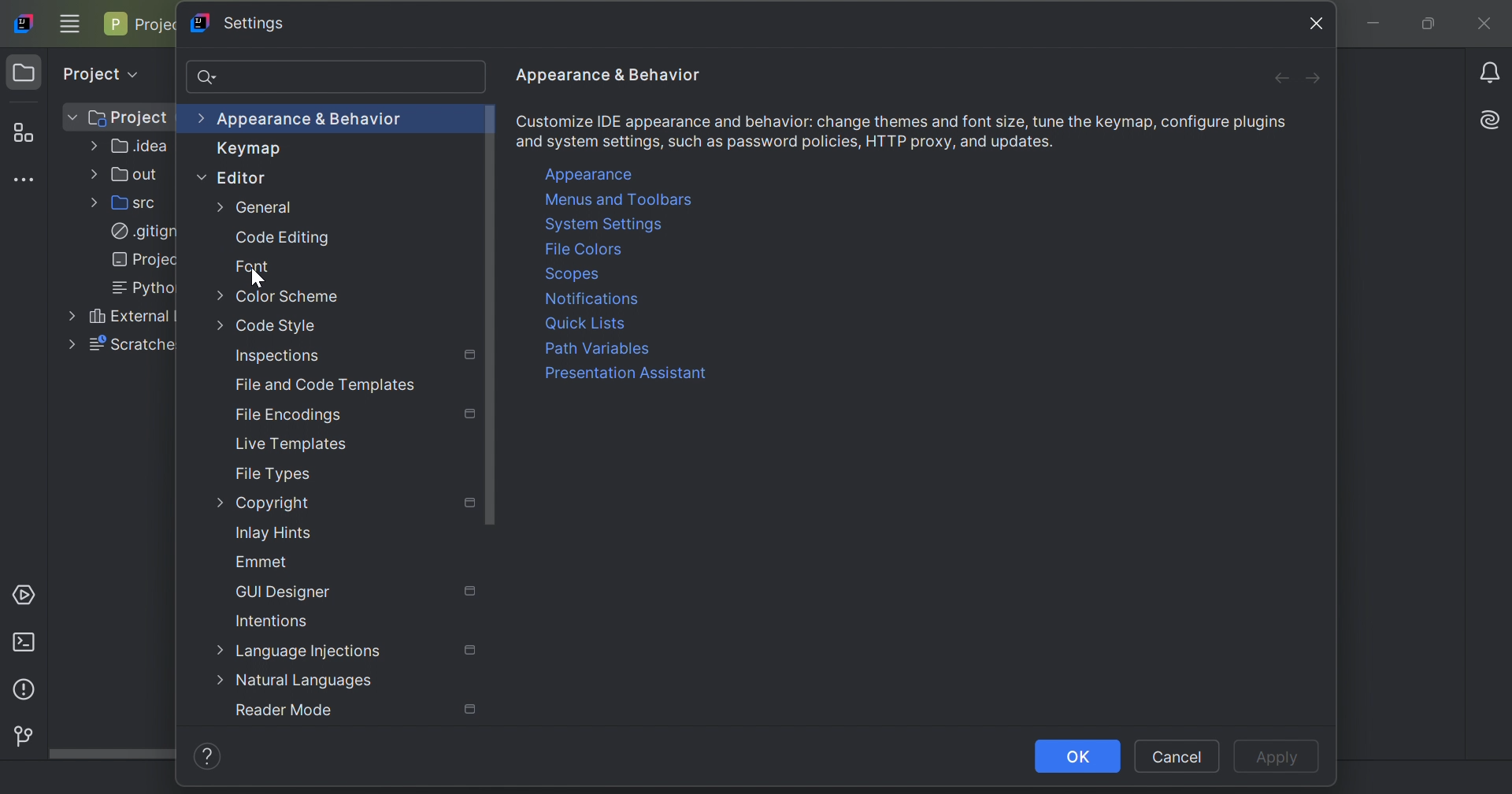 This screenshot has width=1512, height=794. Describe the element at coordinates (24, 73) in the screenshot. I see `Project` at that location.